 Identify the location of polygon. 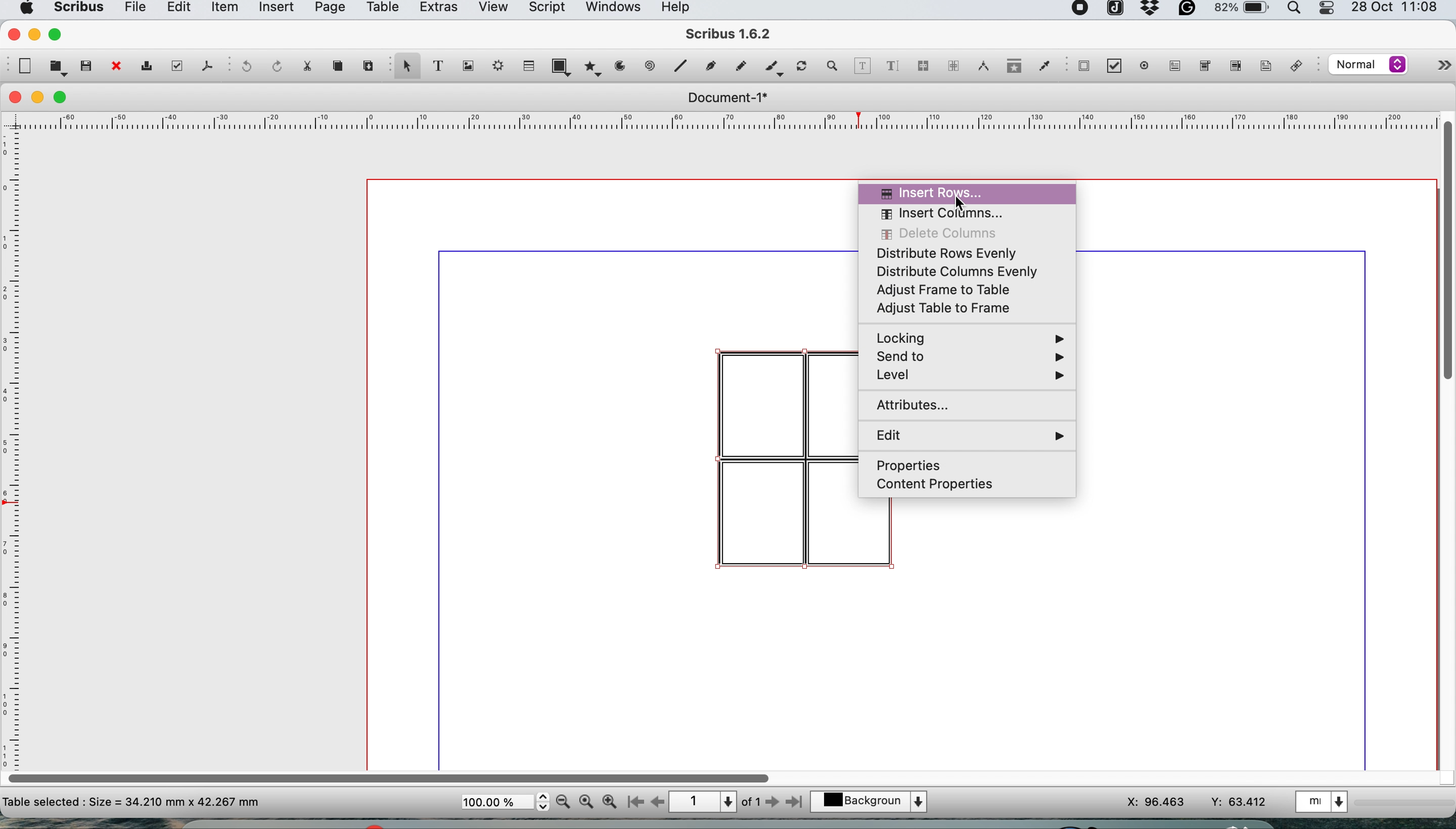
(595, 66).